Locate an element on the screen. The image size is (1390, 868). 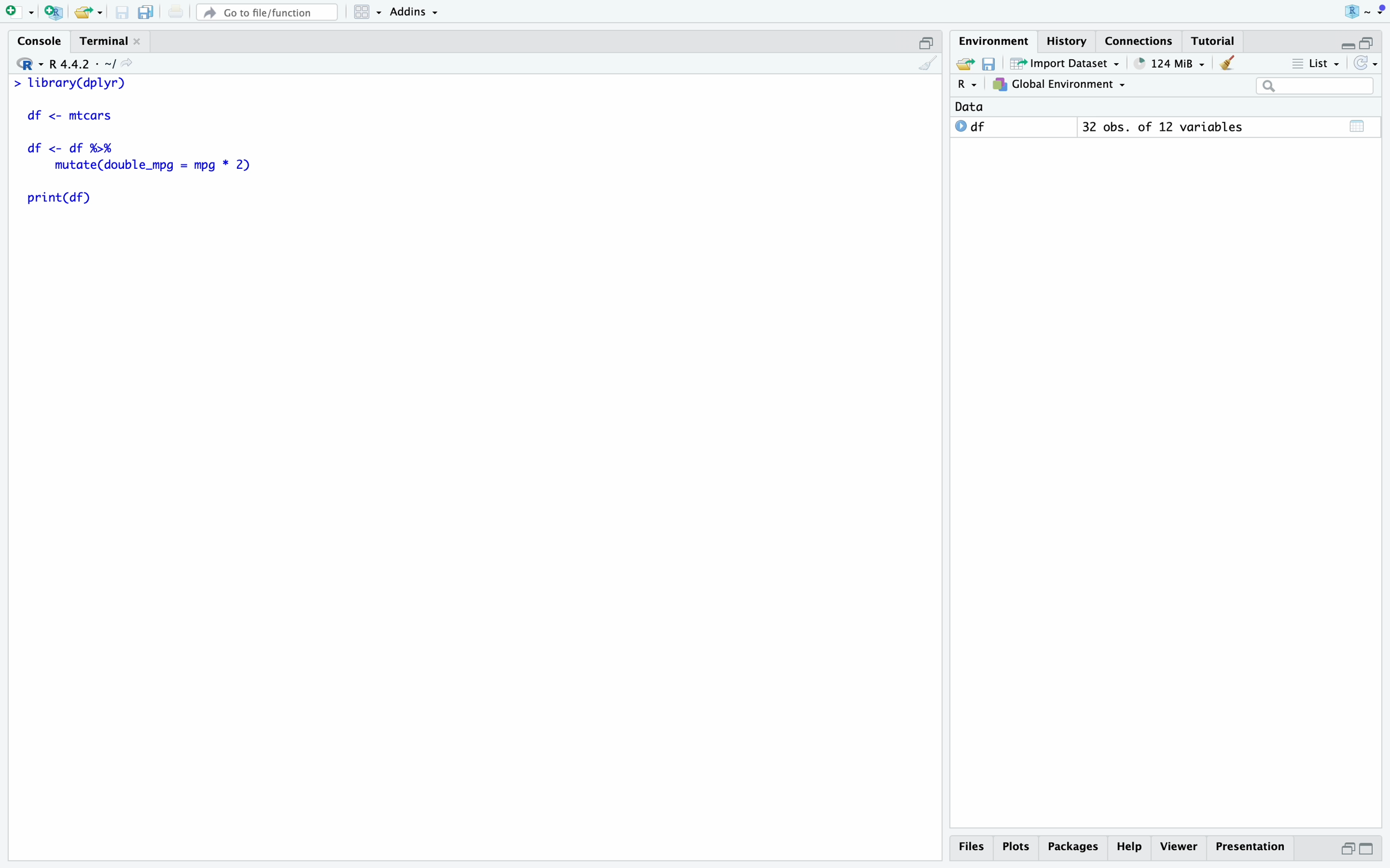
close is located at coordinates (137, 41).